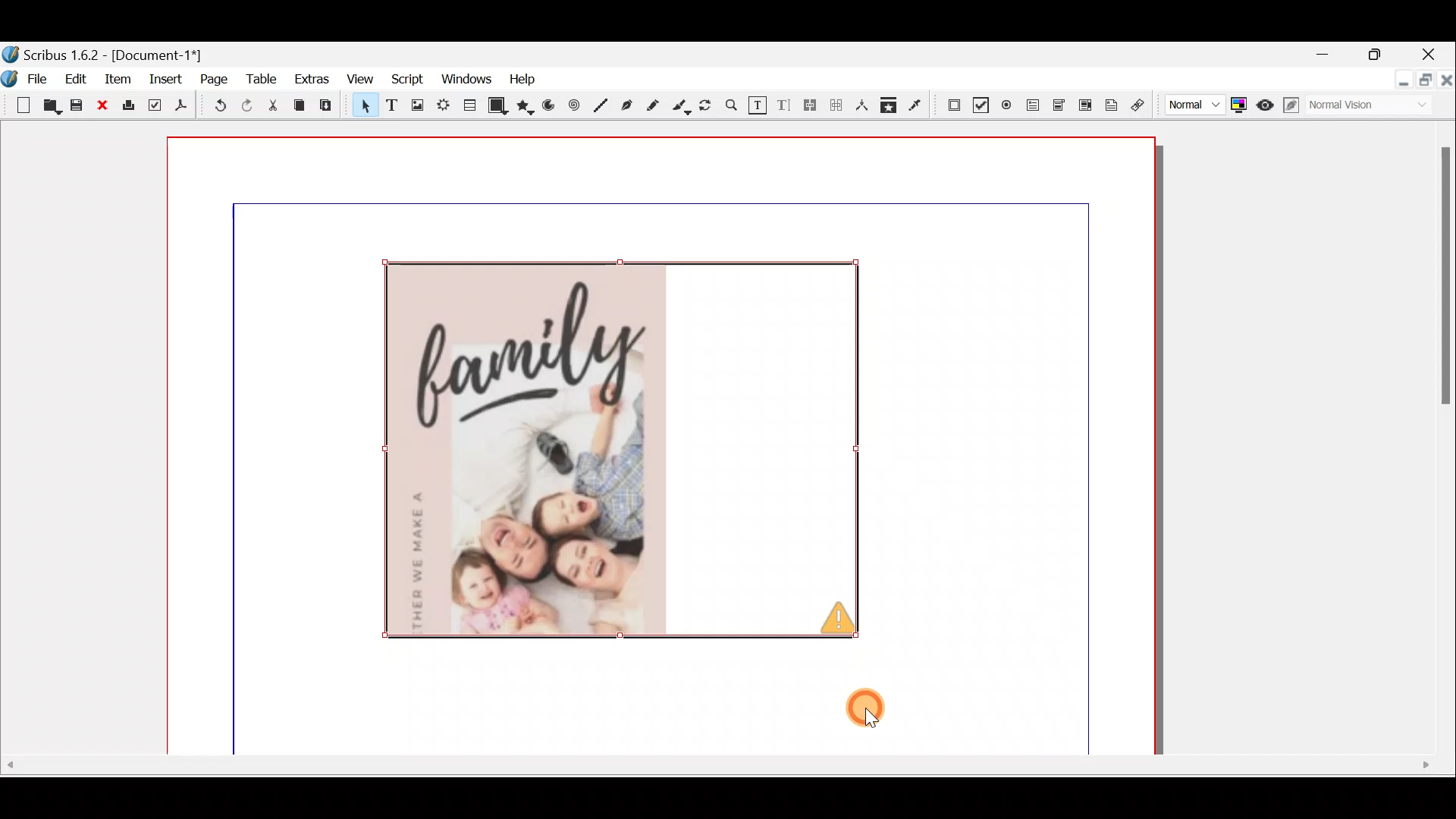 The image size is (1456, 819). What do you see at coordinates (115, 78) in the screenshot?
I see `Item` at bounding box center [115, 78].